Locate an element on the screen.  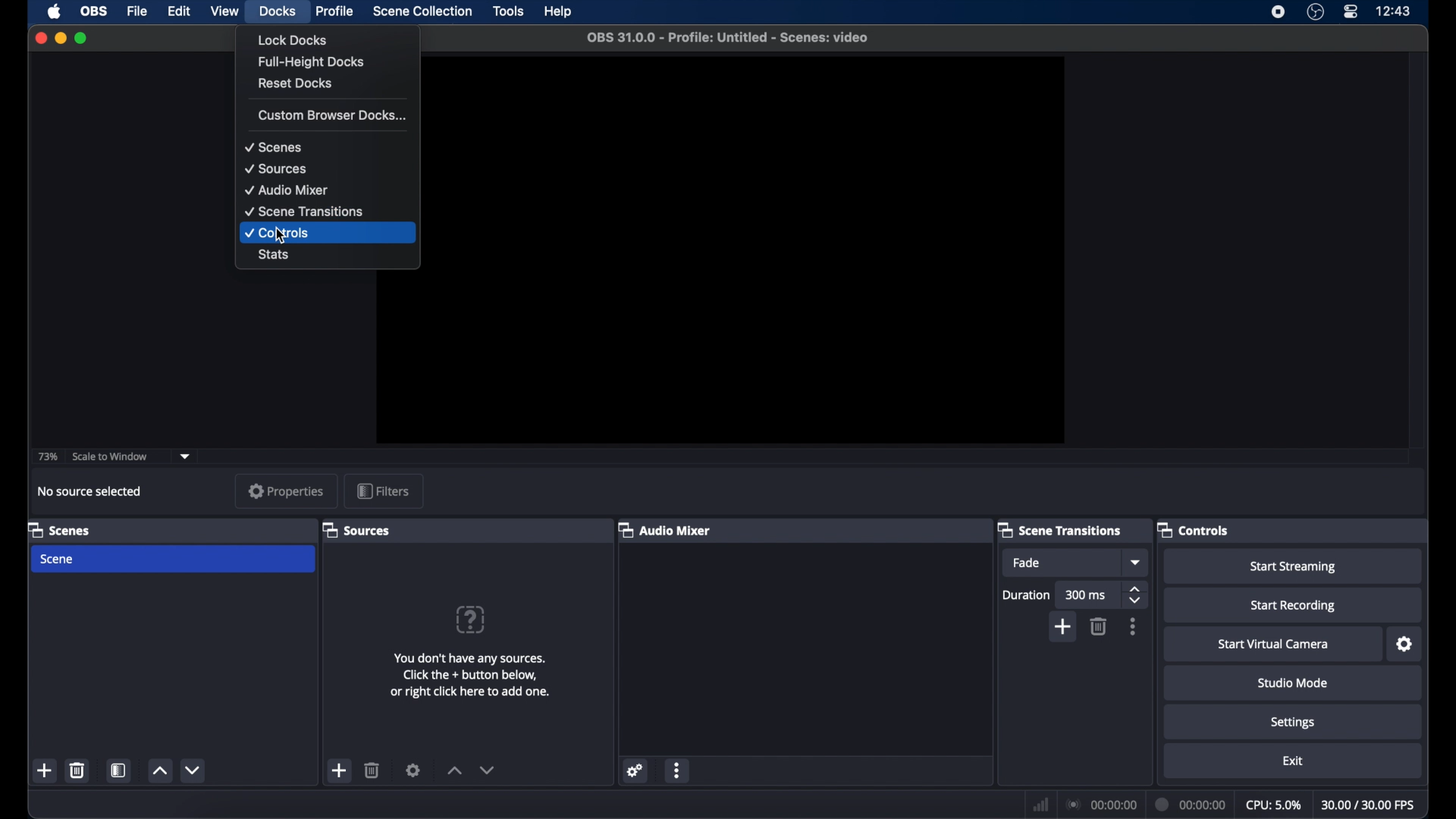
delete is located at coordinates (374, 770).